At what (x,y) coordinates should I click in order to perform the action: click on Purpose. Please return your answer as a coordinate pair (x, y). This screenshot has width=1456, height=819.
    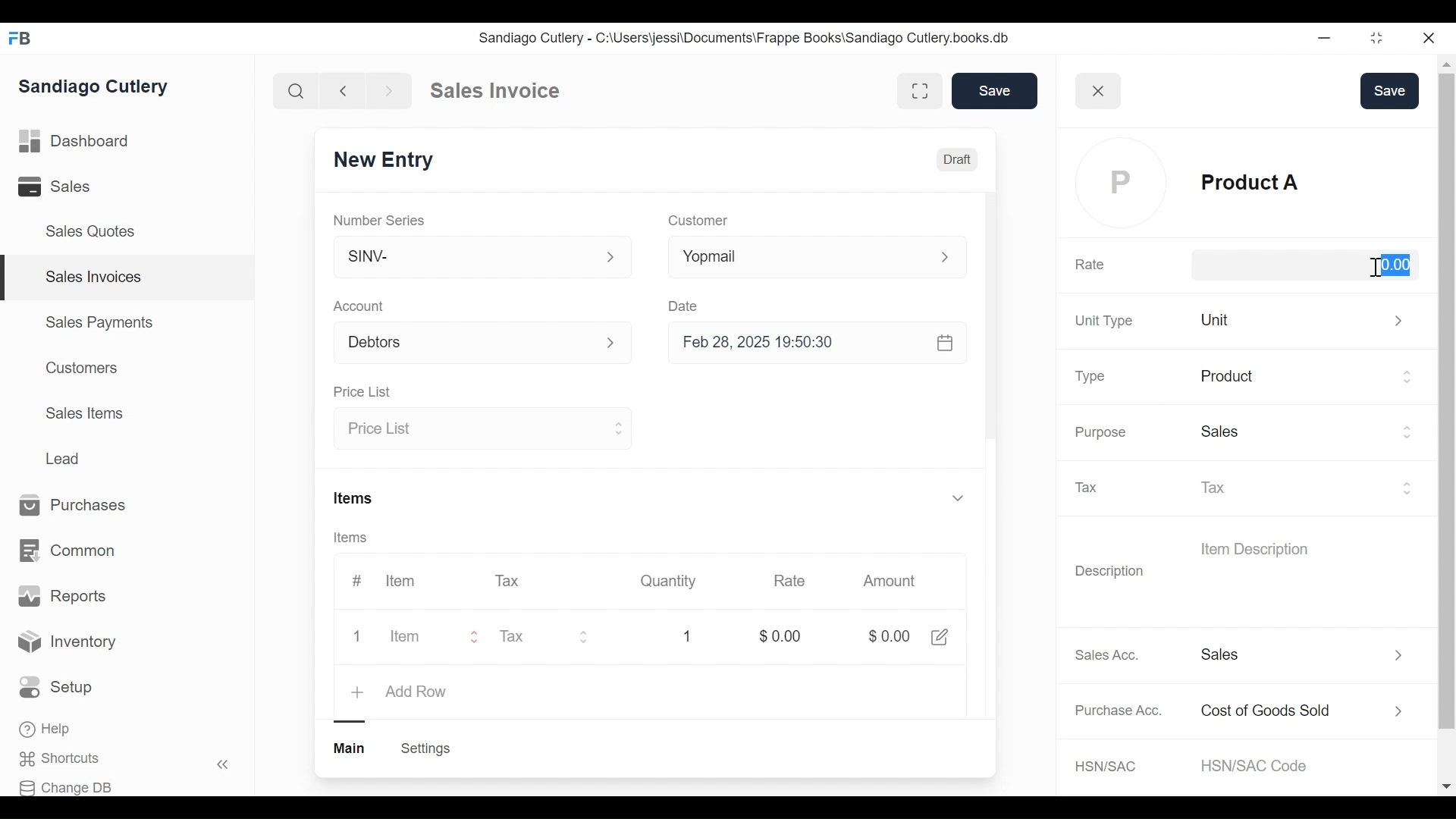
    Looking at the image, I should click on (1100, 432).